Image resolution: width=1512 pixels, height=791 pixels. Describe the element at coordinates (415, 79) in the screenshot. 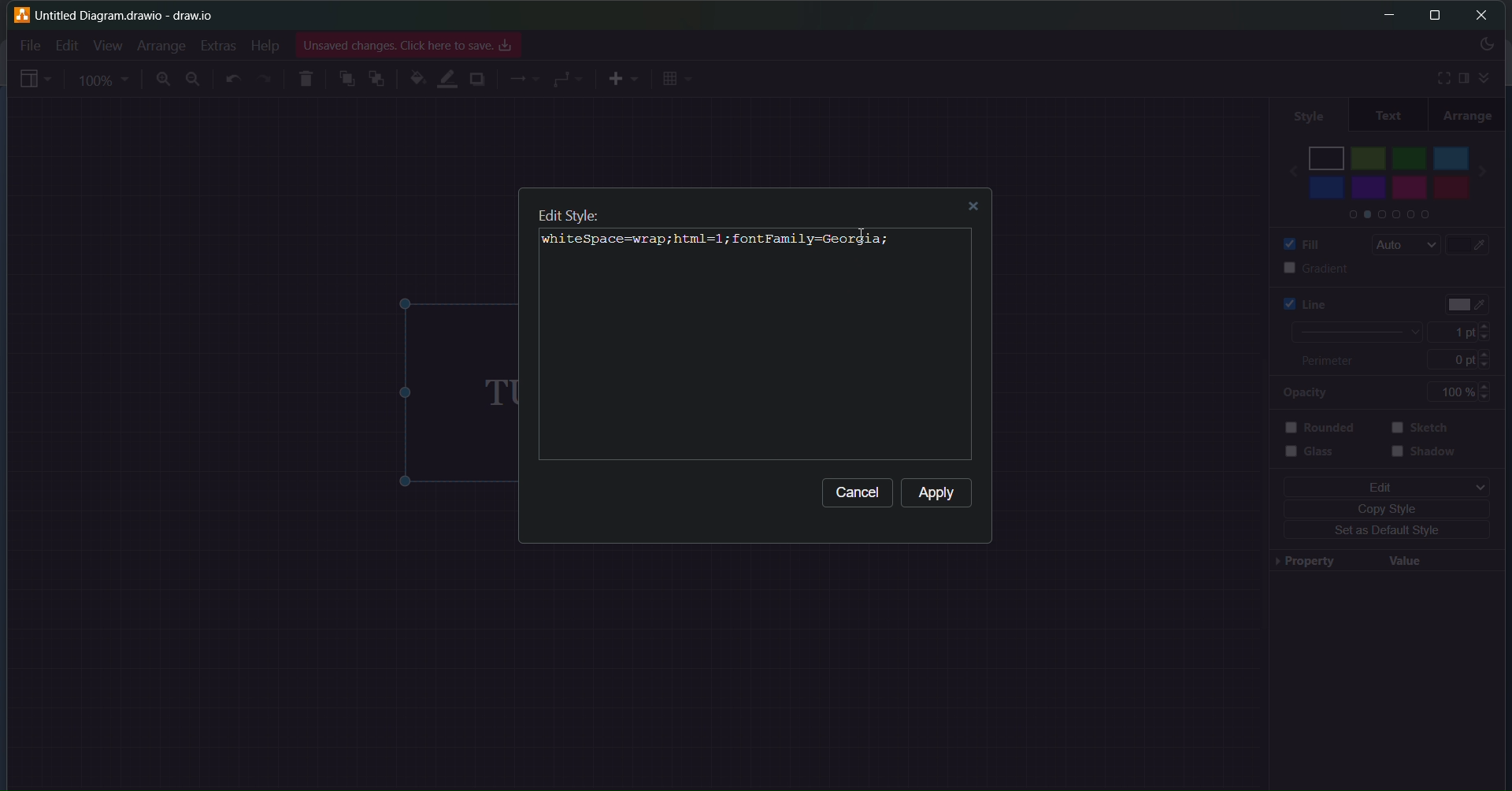

I see `fill color` at that location.